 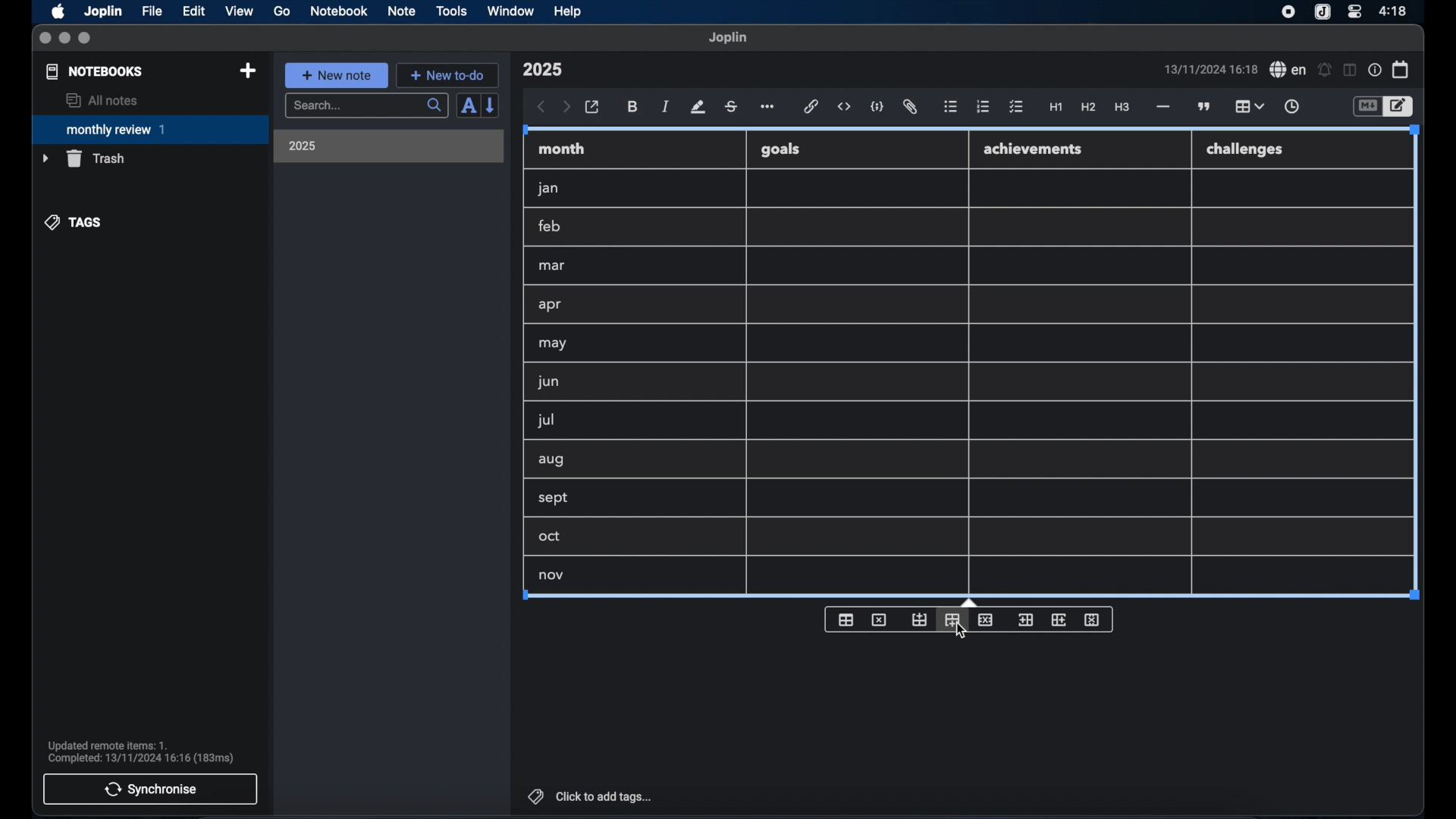 I want to click on file, so click(x=152, y=11).